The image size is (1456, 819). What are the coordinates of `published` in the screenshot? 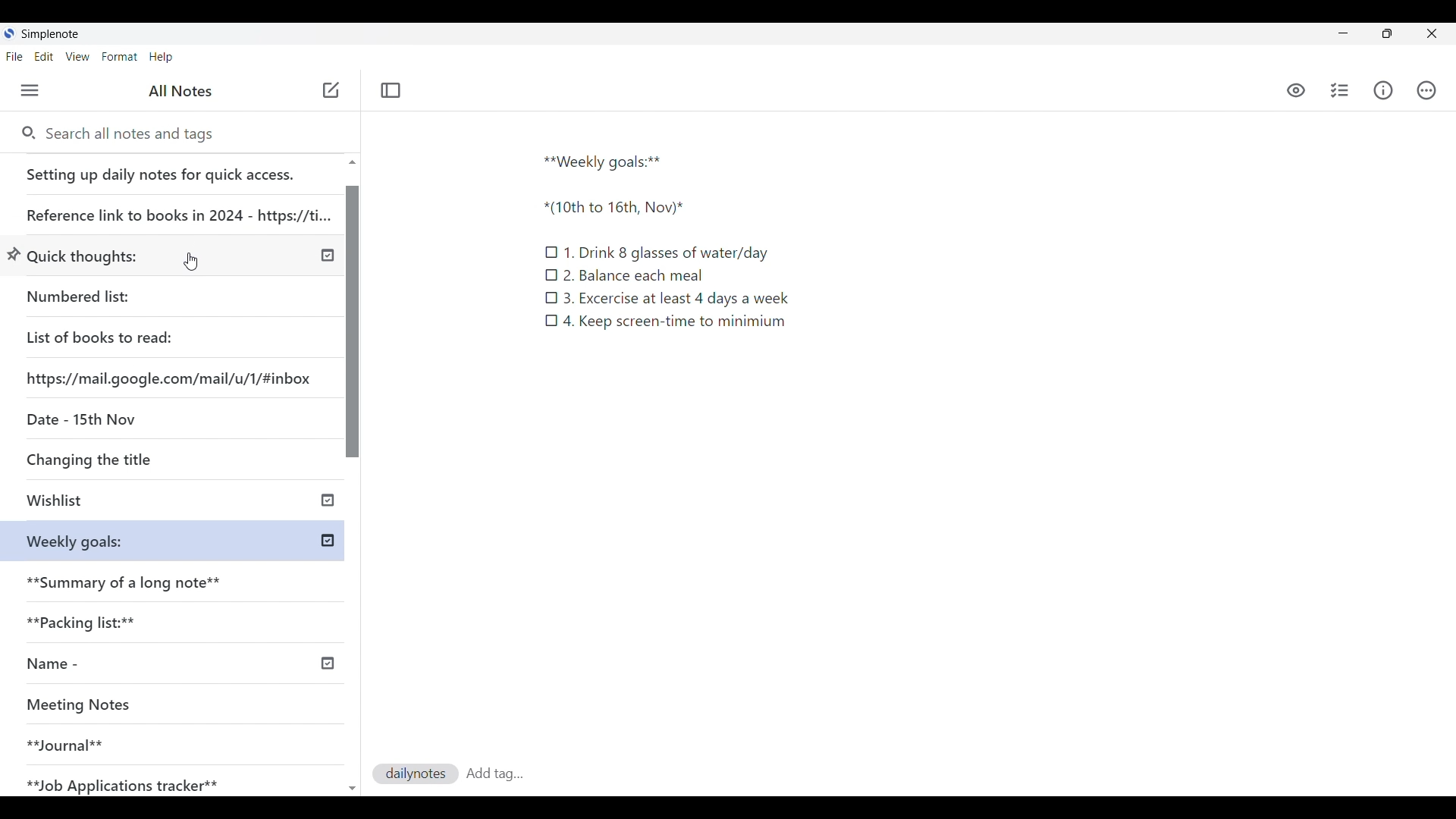 It's located at (328, 541).